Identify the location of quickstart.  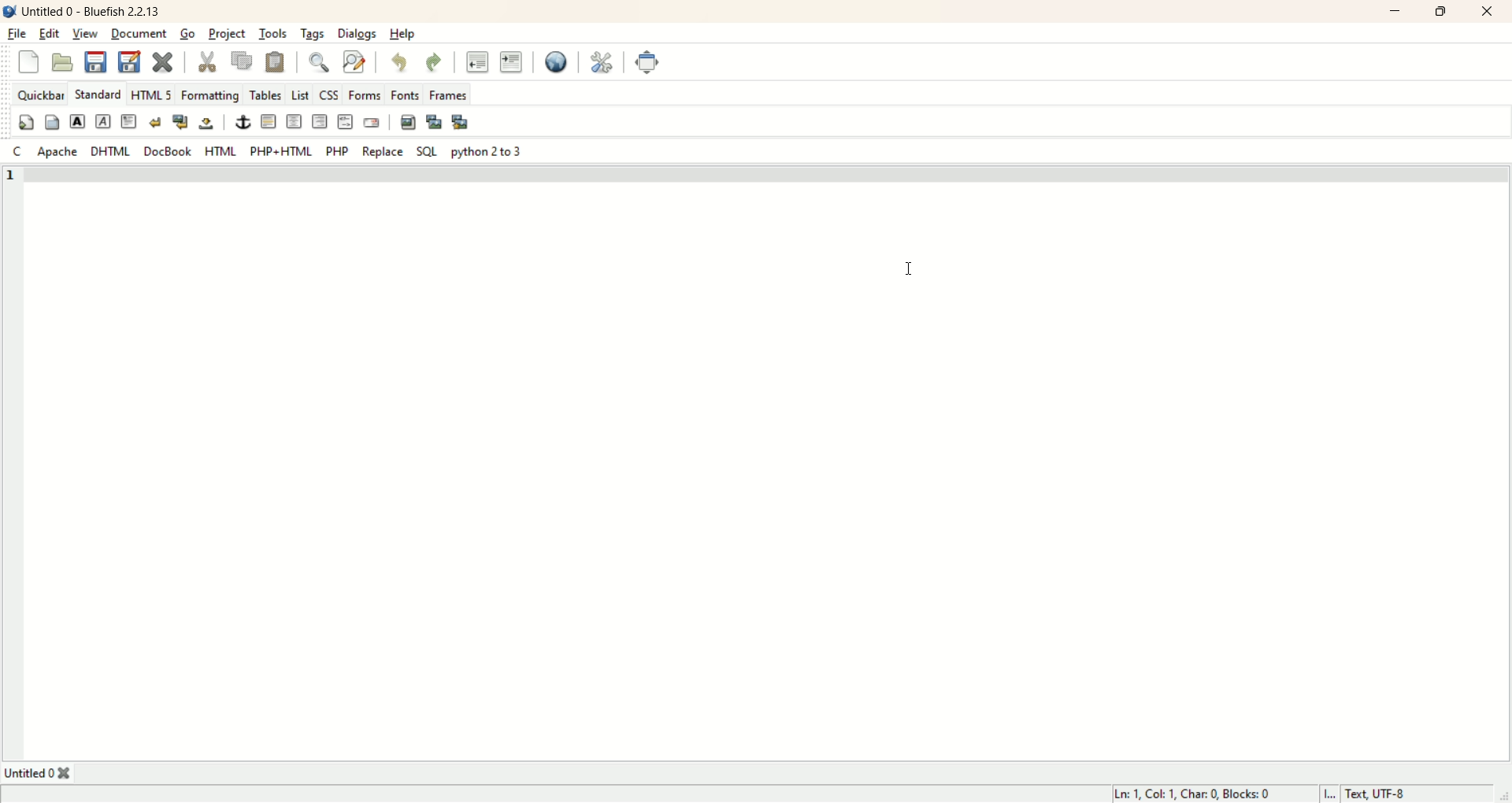
(24, 124).